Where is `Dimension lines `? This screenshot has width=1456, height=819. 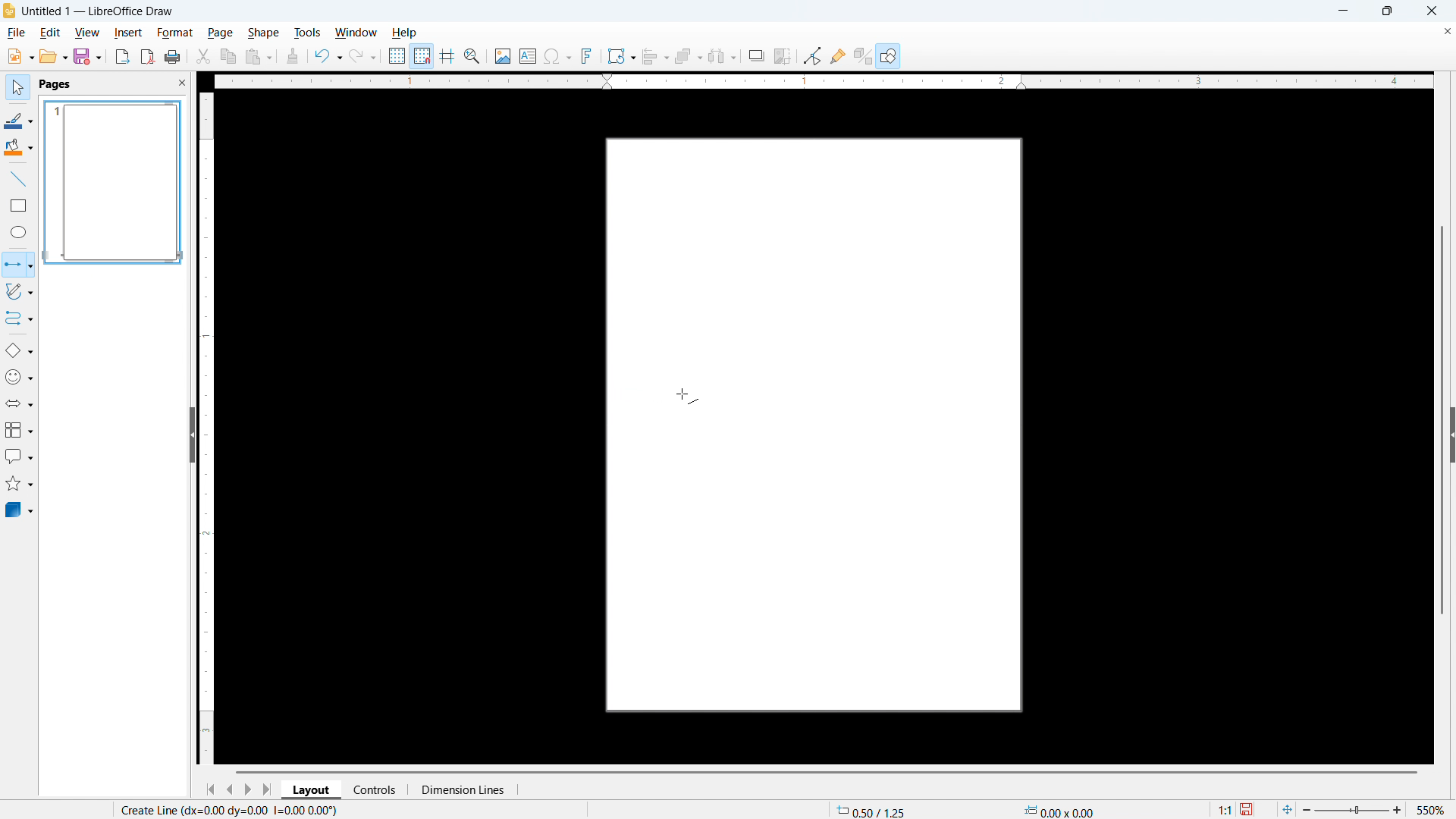
Dimension lines  is located at coordinates (462, 790).